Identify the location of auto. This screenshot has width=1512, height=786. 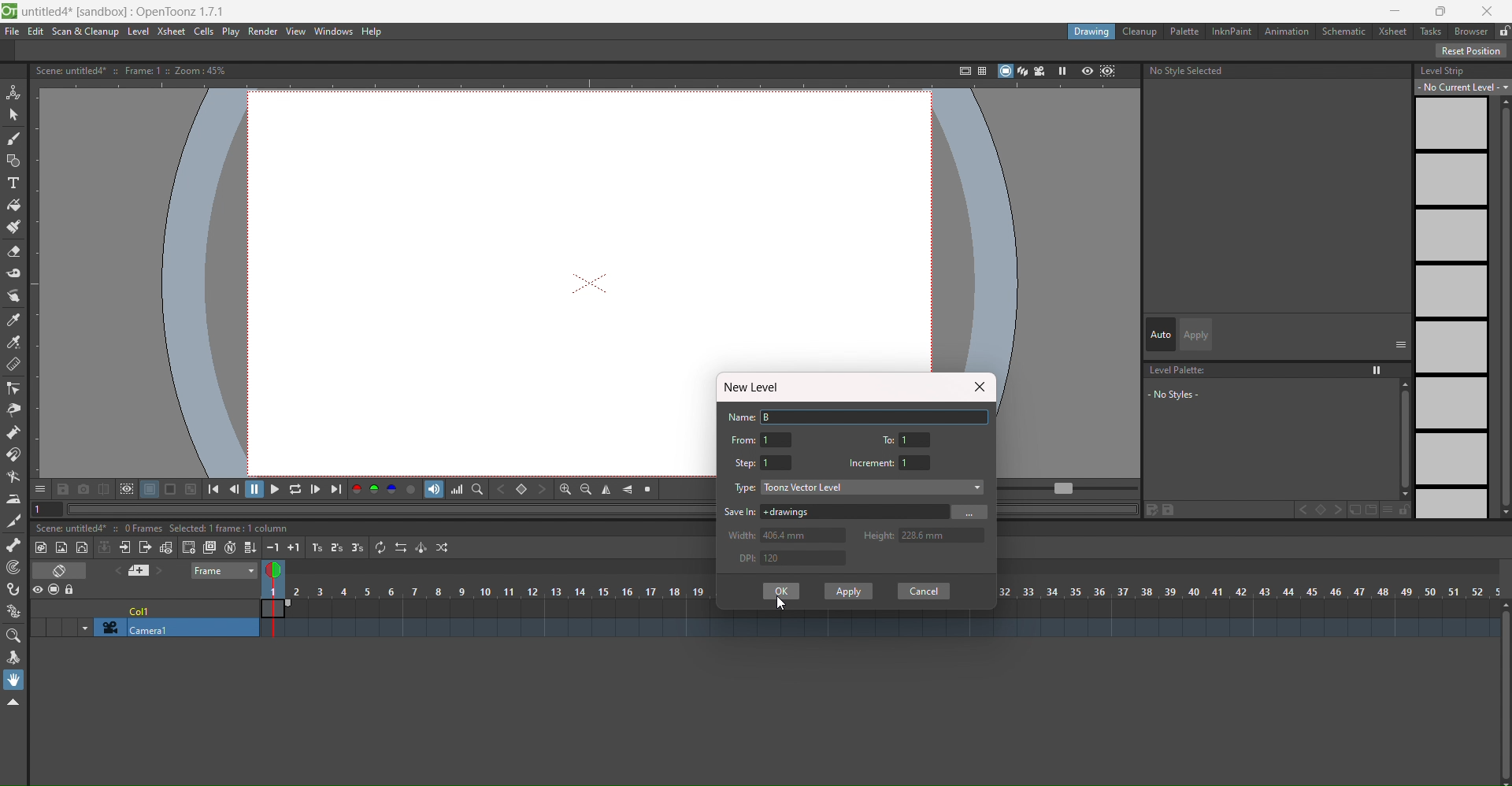
(1161, 334).